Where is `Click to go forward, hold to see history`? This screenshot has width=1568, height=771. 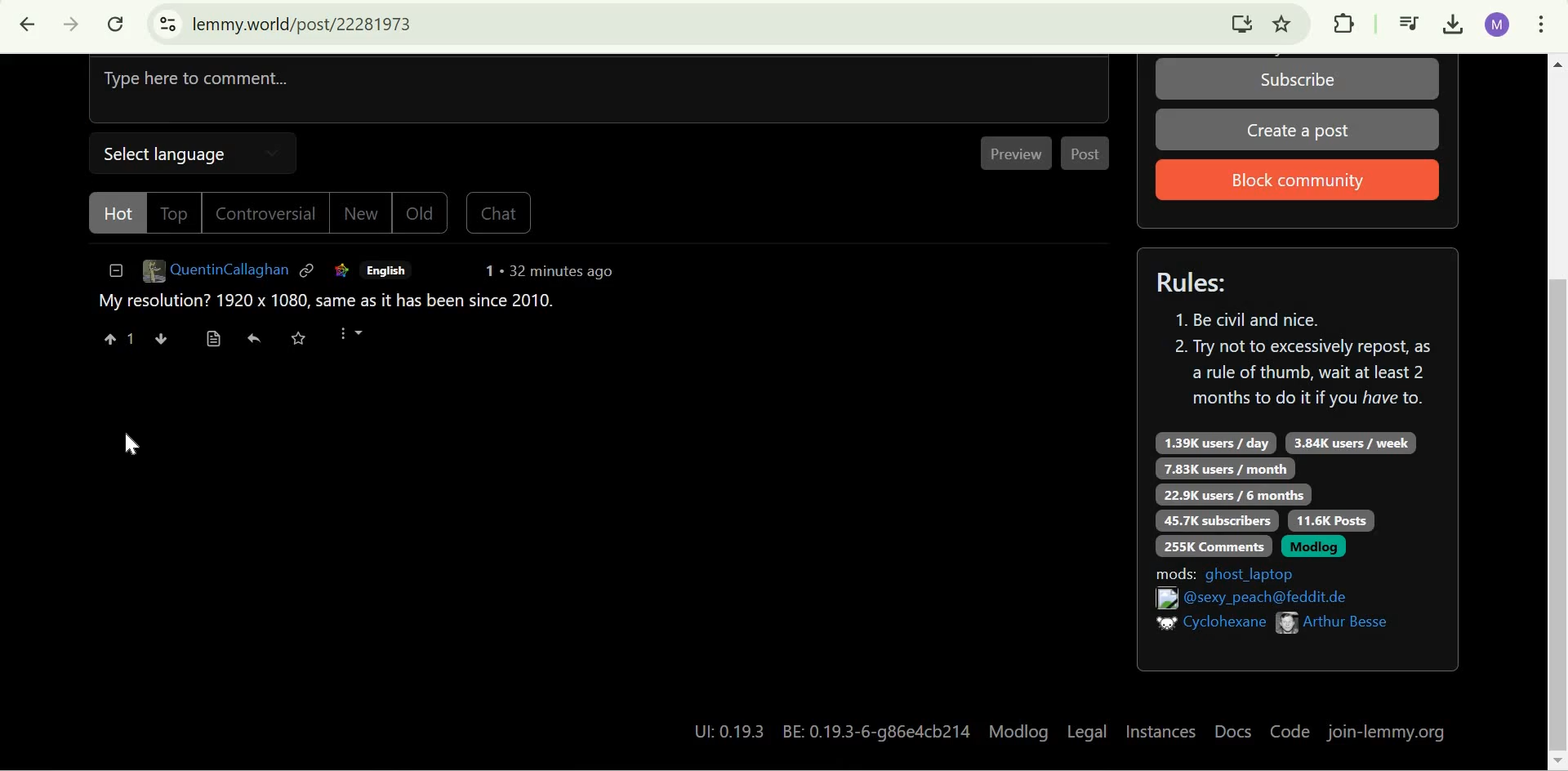
Click to go forward, hold to see history is located at coordinates (72, 25).